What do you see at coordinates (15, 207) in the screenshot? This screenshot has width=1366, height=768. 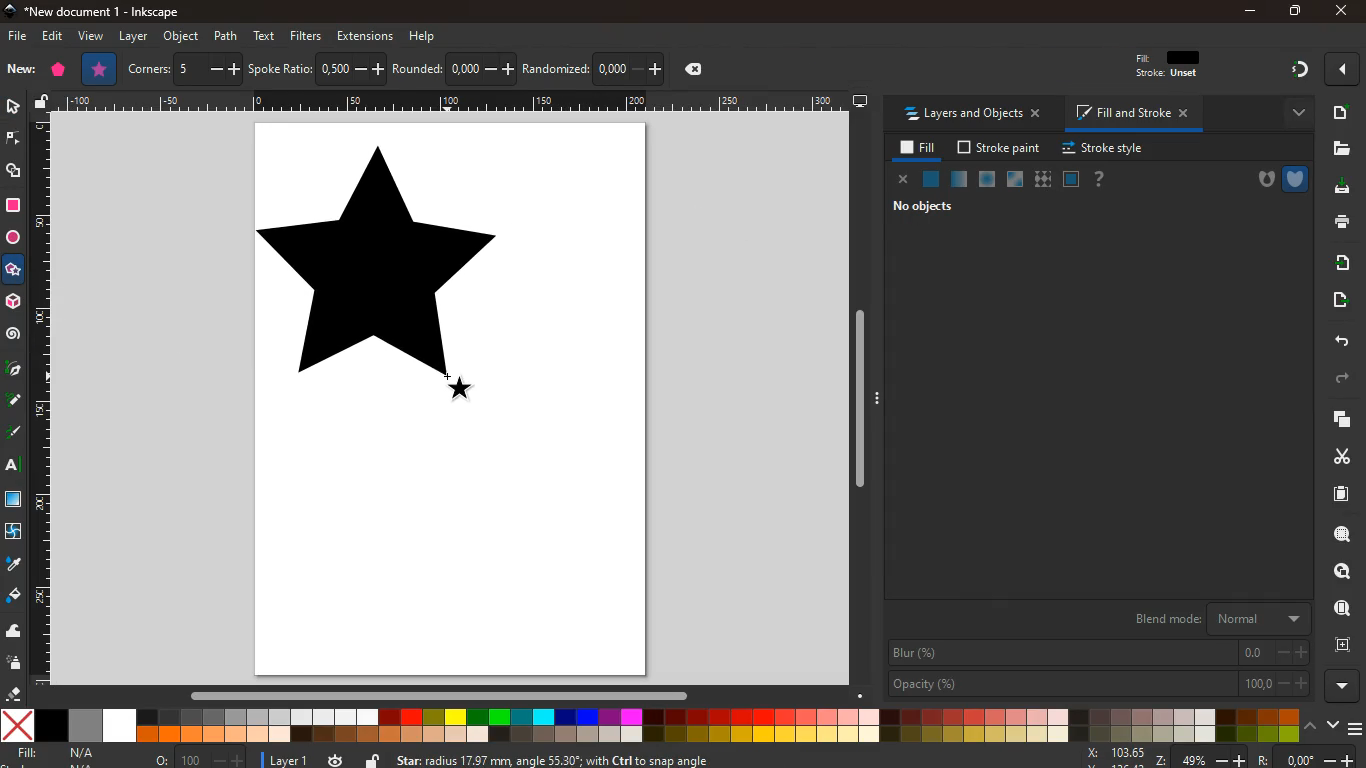 I see `square` at bounding box center [15, 207].